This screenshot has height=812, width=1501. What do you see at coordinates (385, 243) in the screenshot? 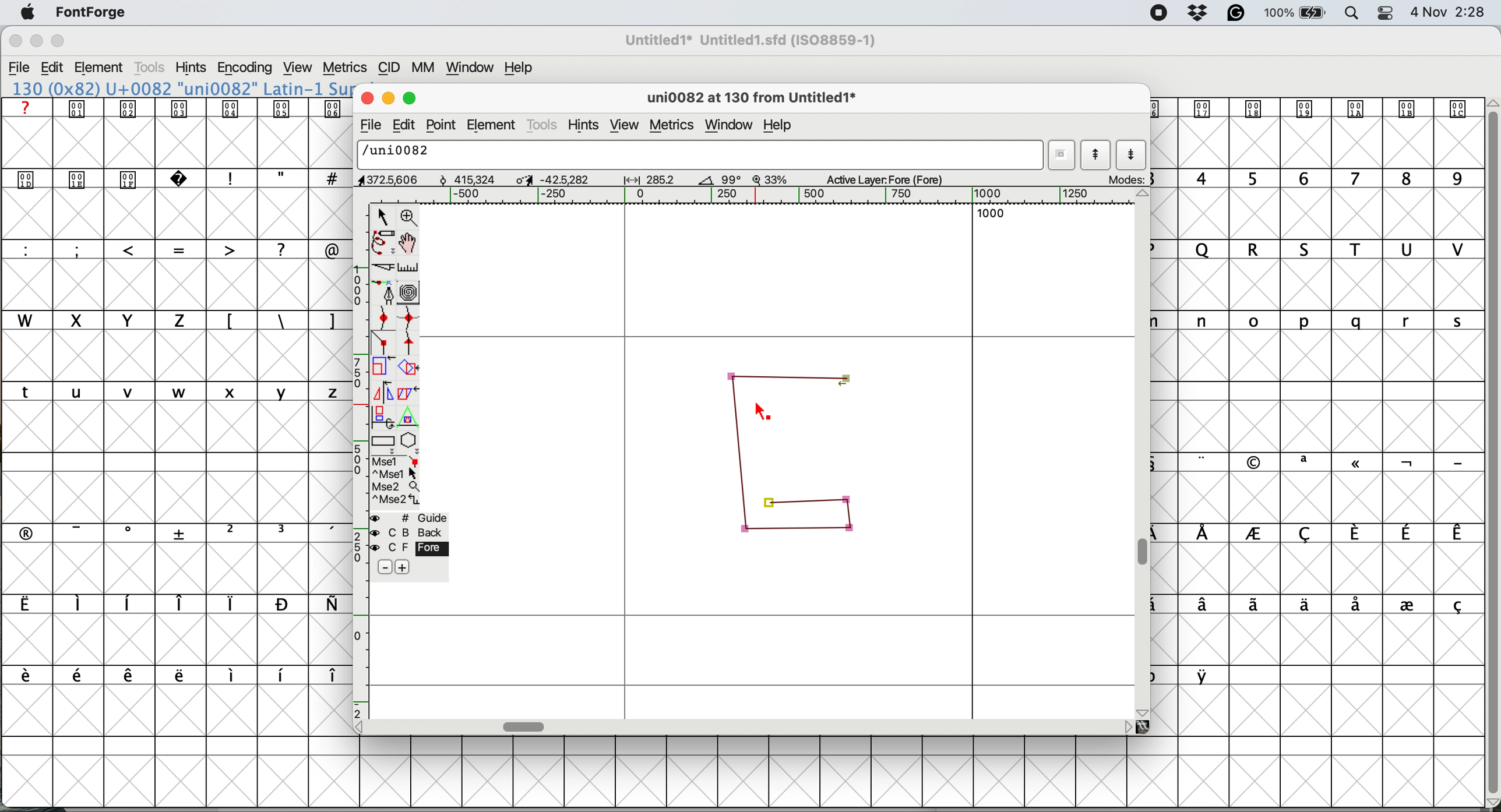
I see `freehand draw` at bounding box center [385, 243].